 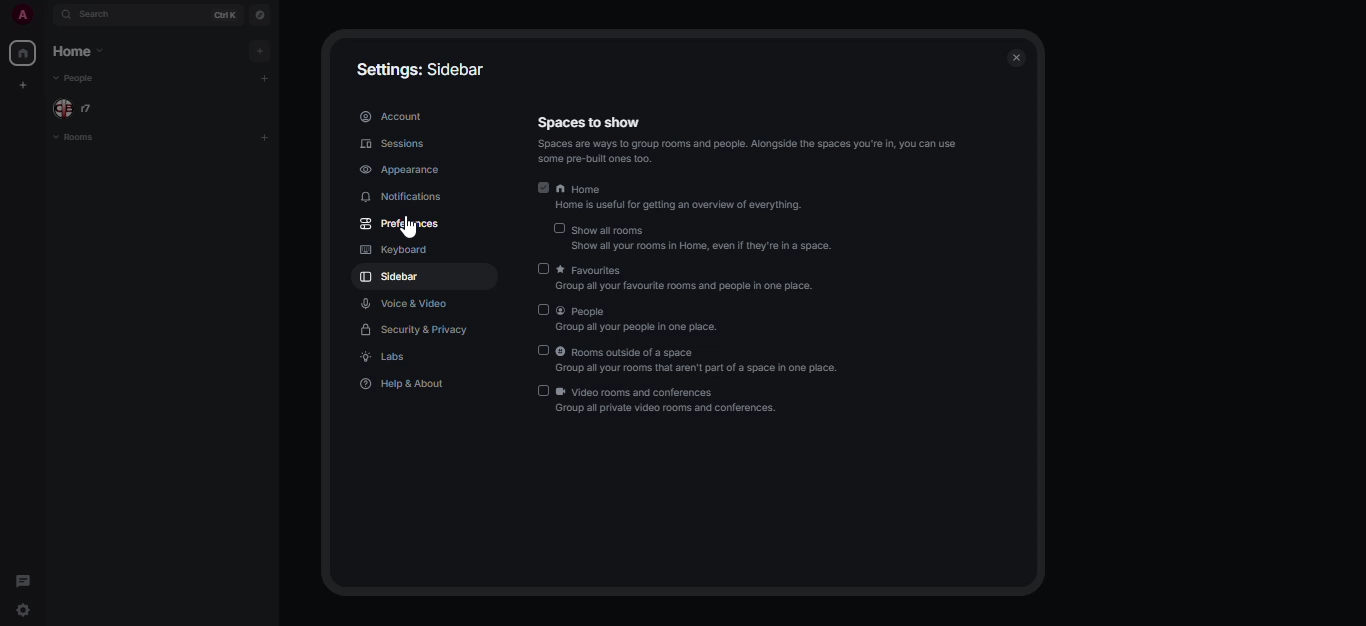 I want to click on appearance, so click(x=402, y=170).